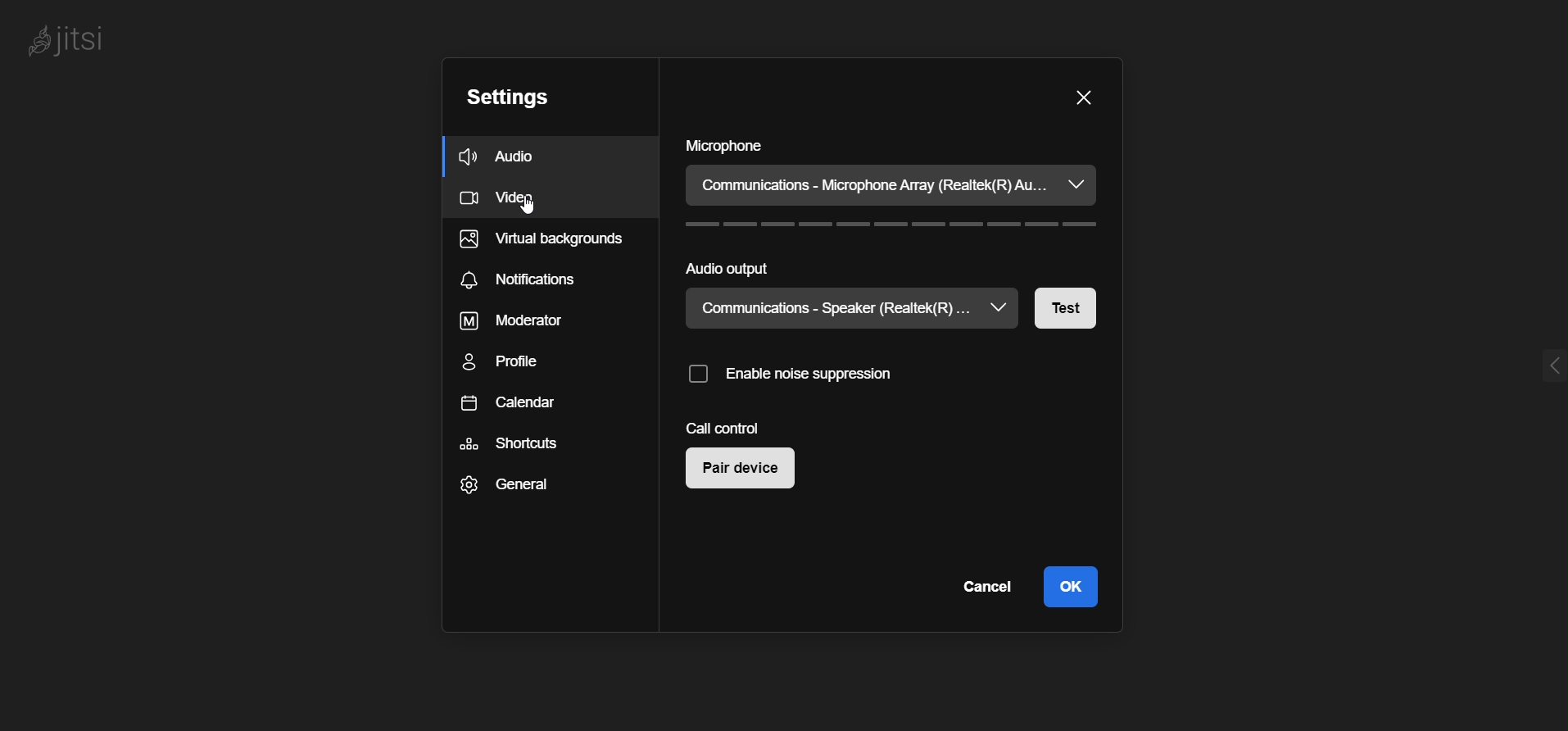 The image size is (1568, 731). What do you see at coordinates (532, 279) in the screenshot?
I see `notifications` at bounding box center [532, 279].